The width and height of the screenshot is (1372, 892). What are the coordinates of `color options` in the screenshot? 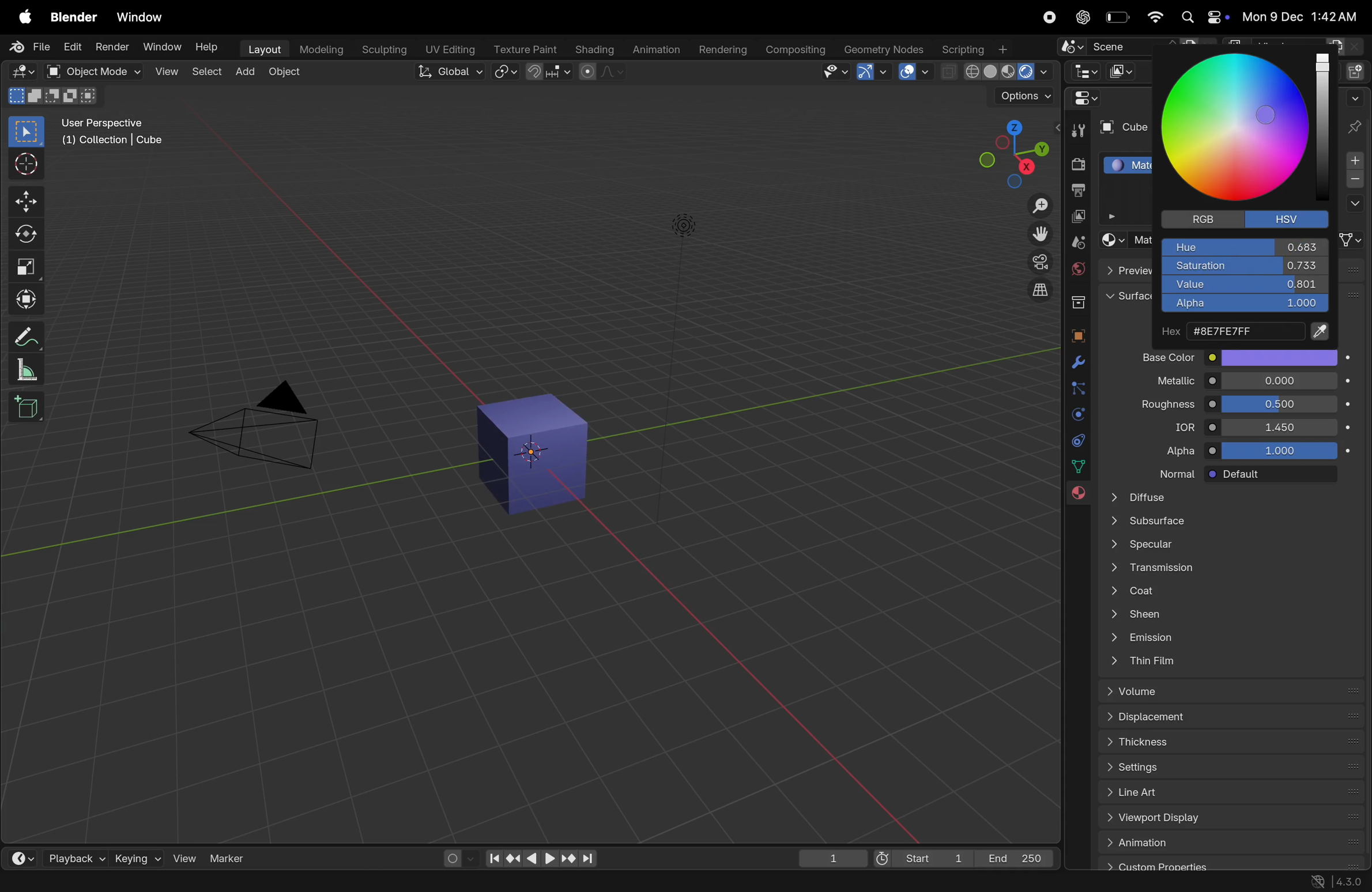 It's located at (1280, 357).